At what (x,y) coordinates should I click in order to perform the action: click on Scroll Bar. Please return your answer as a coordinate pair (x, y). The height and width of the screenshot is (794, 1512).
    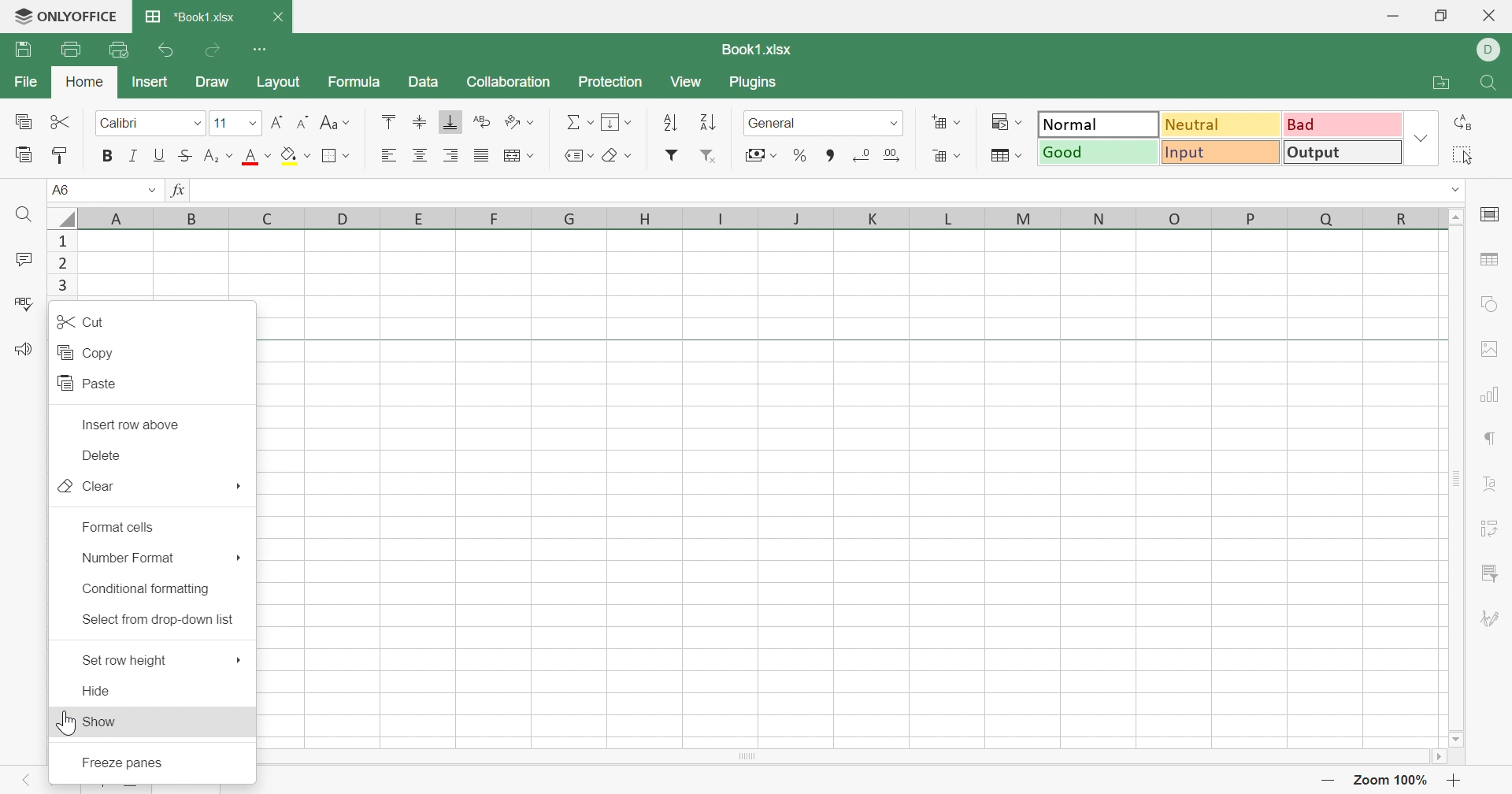
    Looking at the image, I should click on (749, 759).